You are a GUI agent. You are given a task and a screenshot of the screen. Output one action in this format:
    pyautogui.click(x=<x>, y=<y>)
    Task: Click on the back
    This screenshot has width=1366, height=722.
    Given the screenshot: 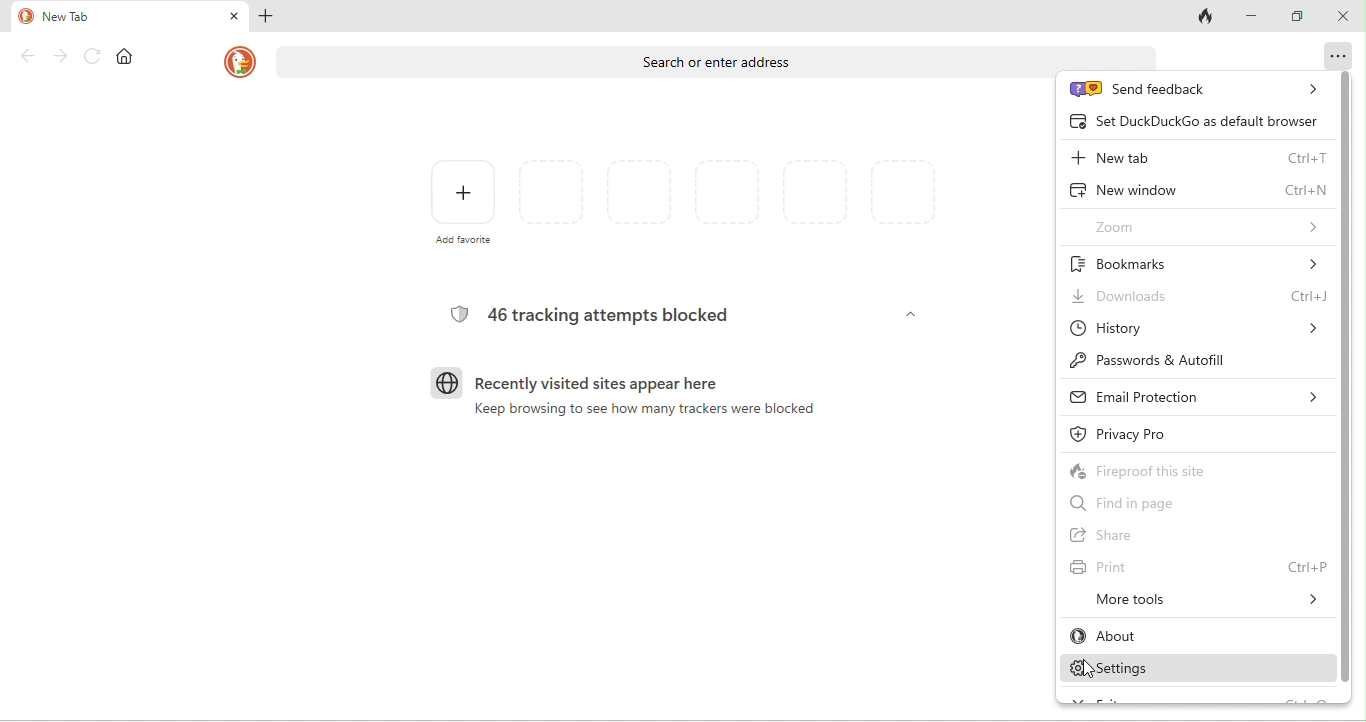 What is the action you would take?
    pyautogui.click(x=23, y=57)
    